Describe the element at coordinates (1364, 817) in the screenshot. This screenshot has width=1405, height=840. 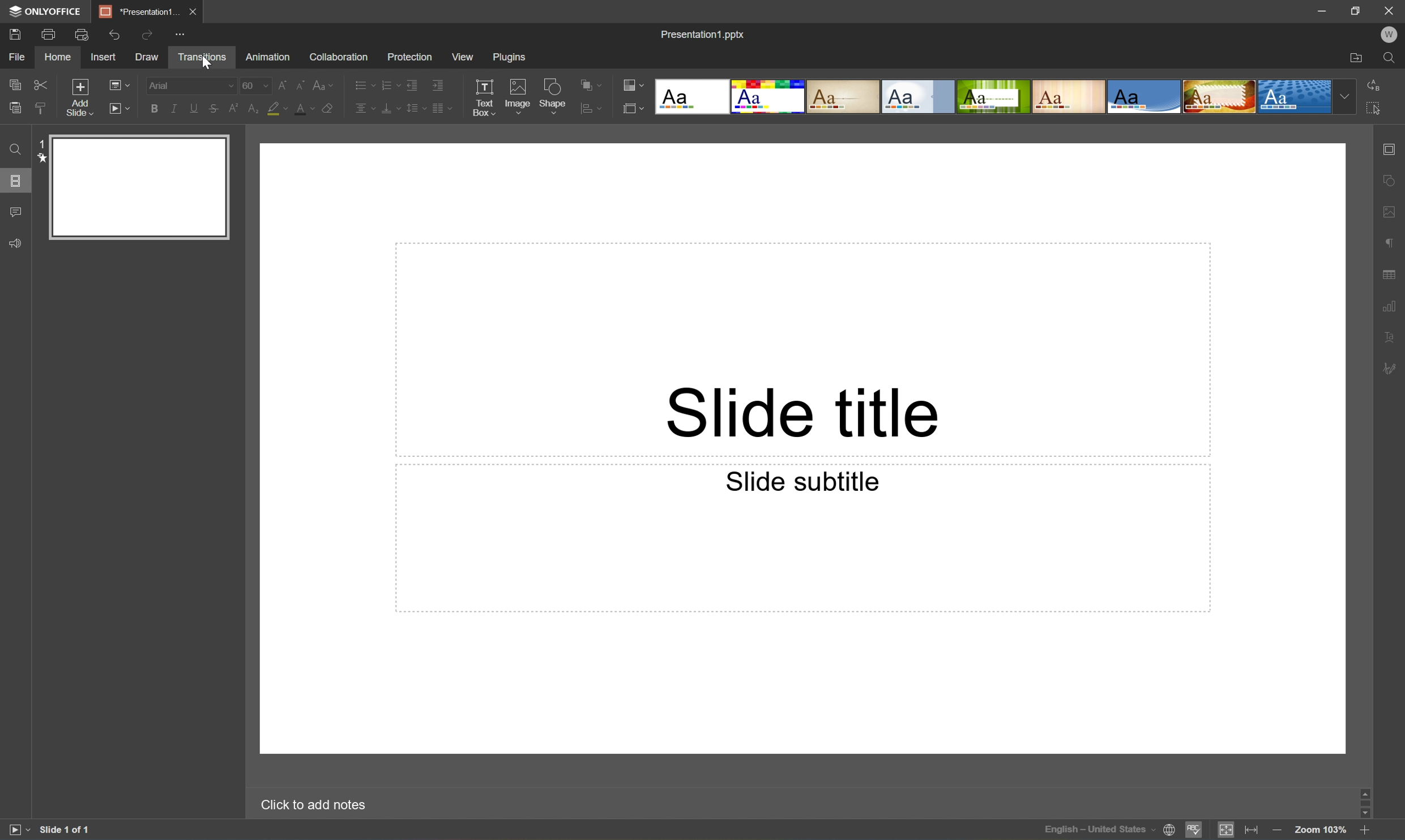
I see `Scroll Down` at that location.